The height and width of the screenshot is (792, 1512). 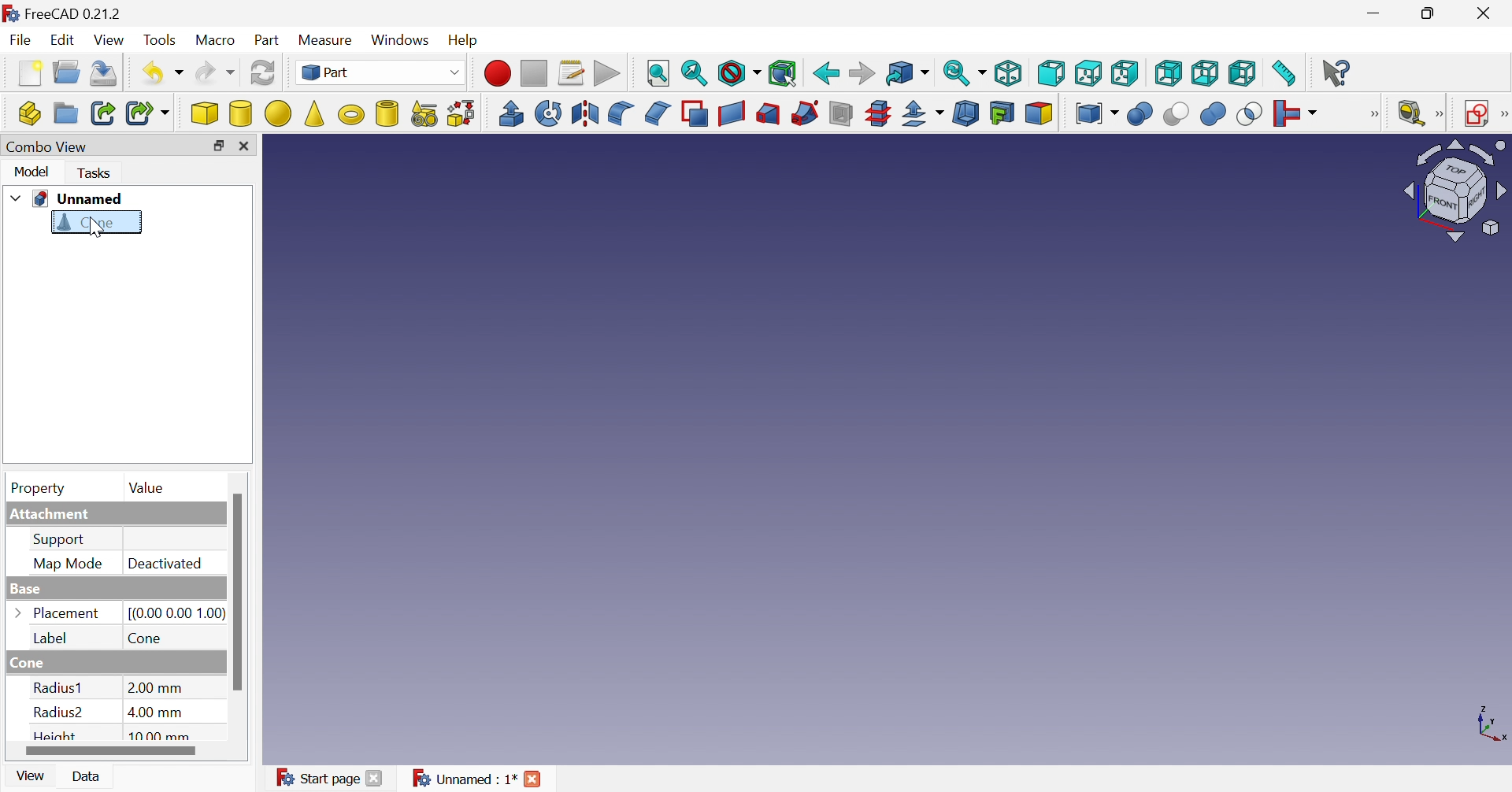 I want to click on What's this?, so click(x=1338, y=74).